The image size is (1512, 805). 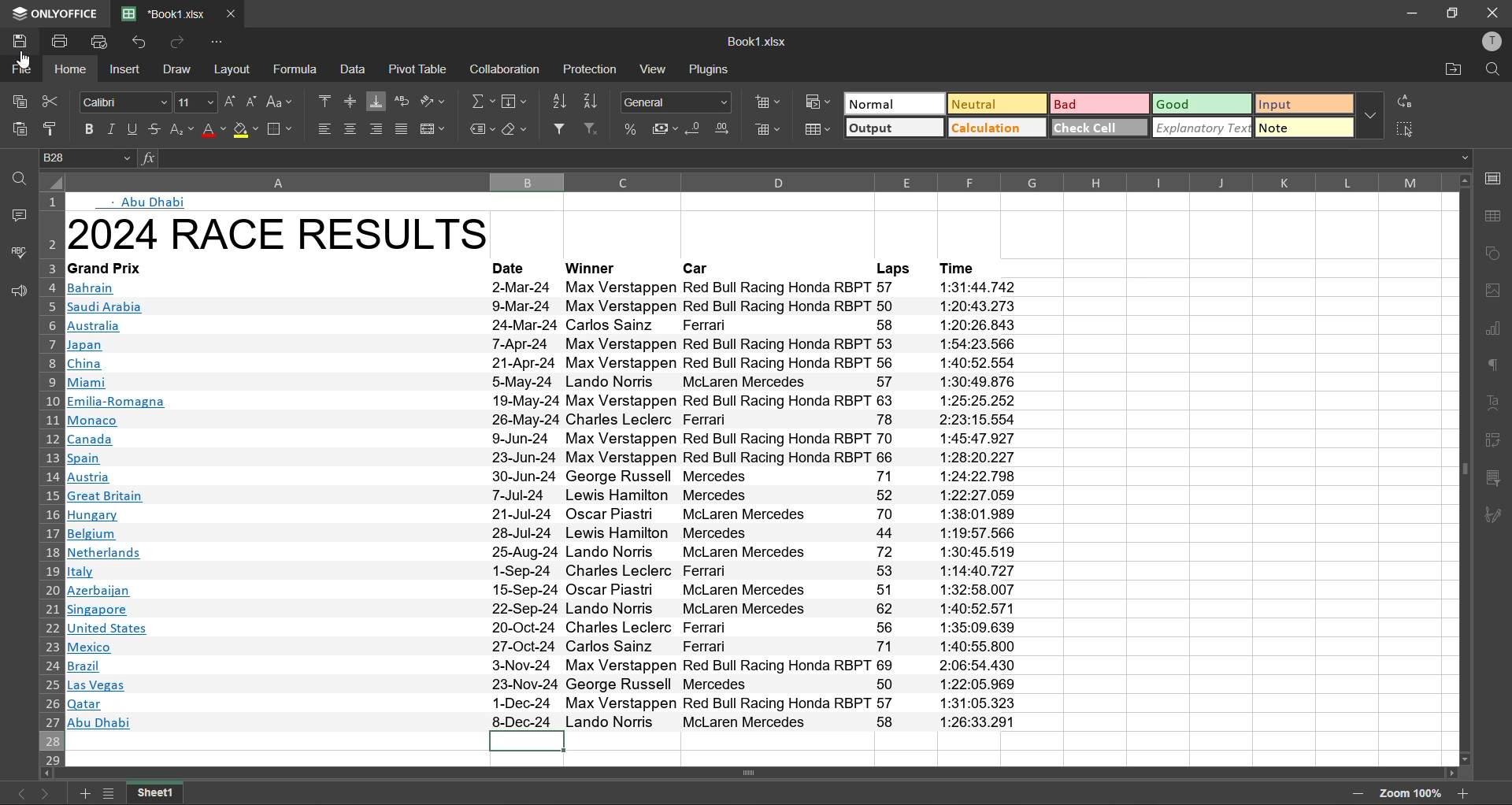 What do you see at coordinates (354, 102) in the screenshot?
I see `align middle` at bounding box center [354, 102].